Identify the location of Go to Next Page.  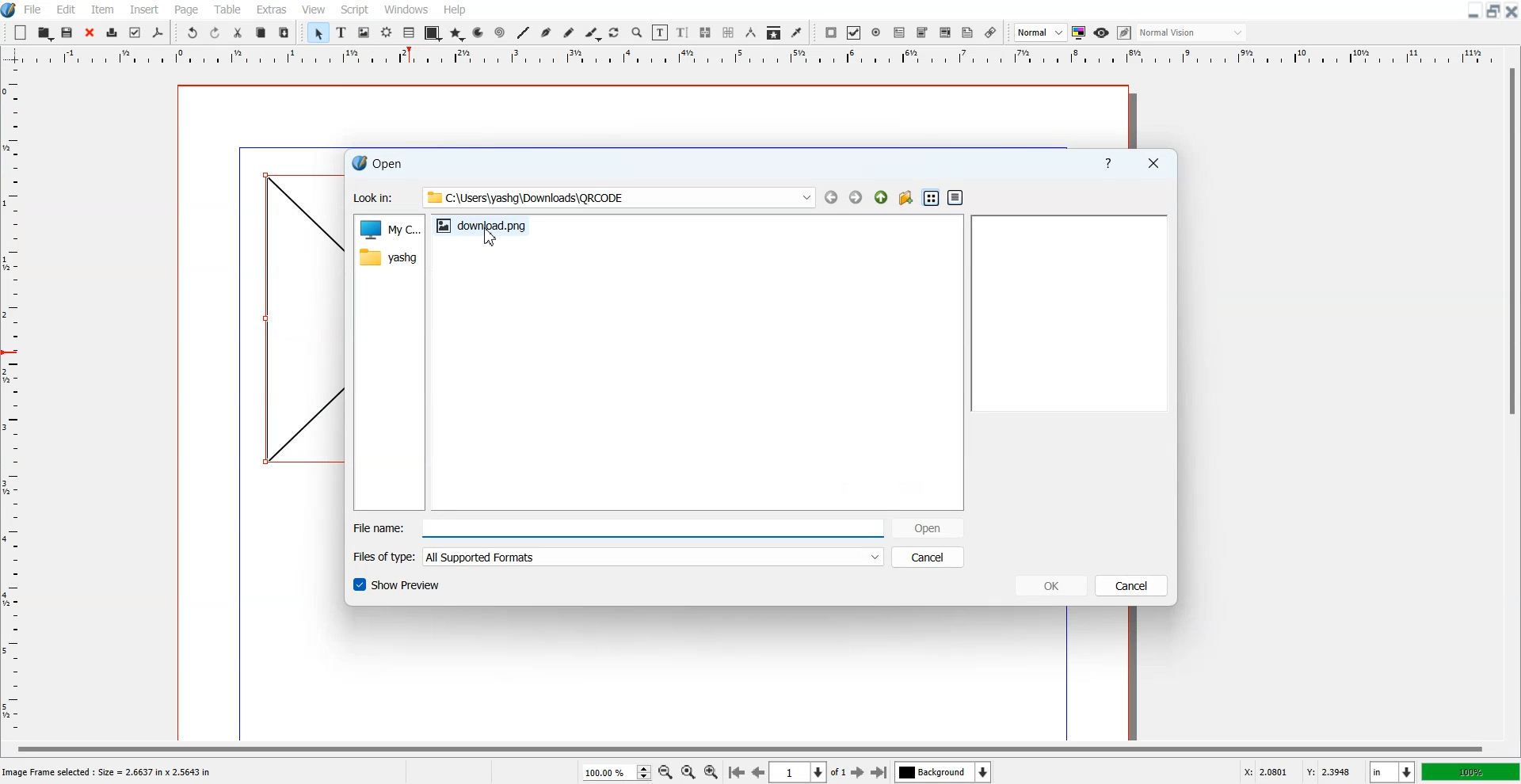
(860, 773).